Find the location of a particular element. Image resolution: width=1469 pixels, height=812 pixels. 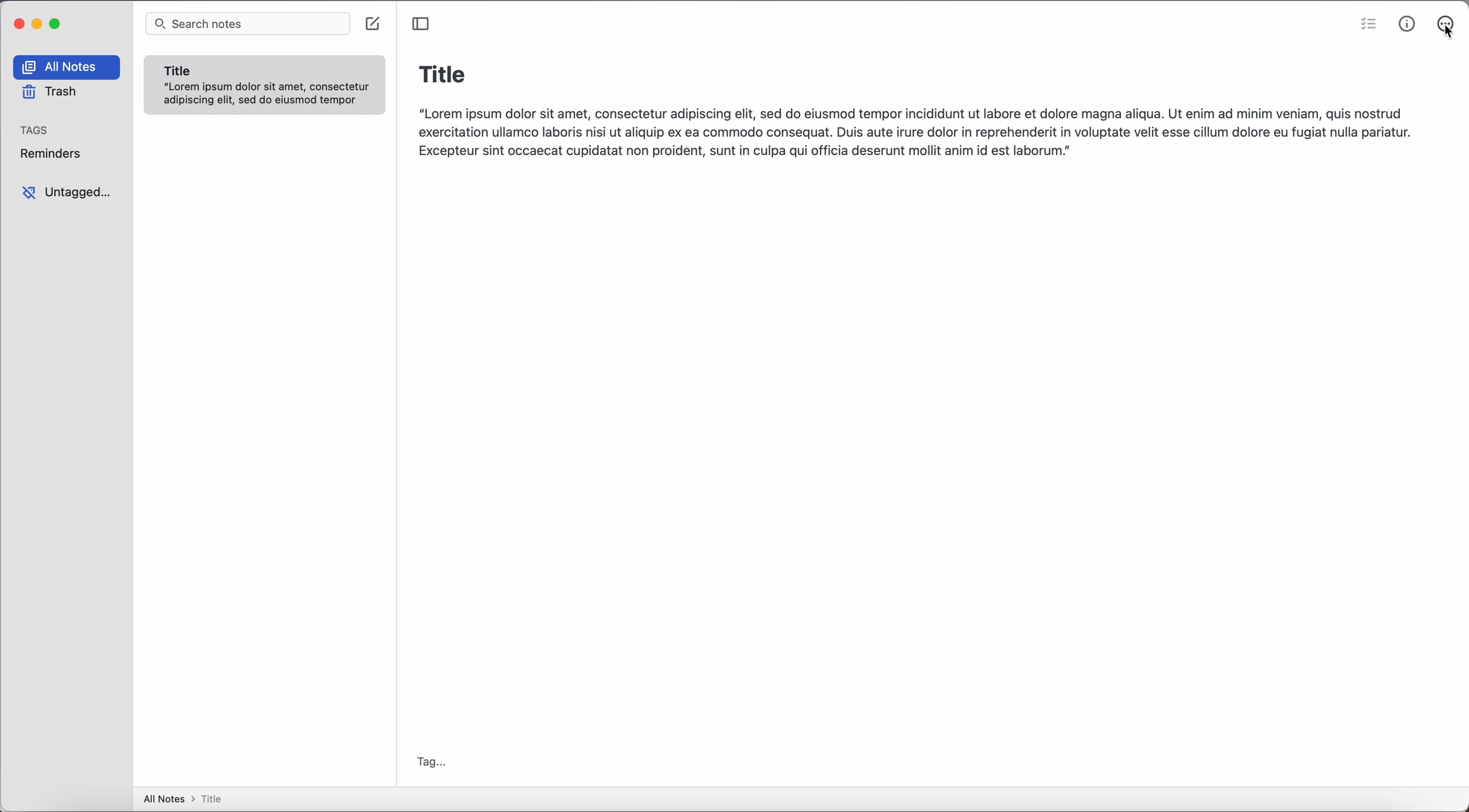

click on more options is located at coordinates (1446, 21).